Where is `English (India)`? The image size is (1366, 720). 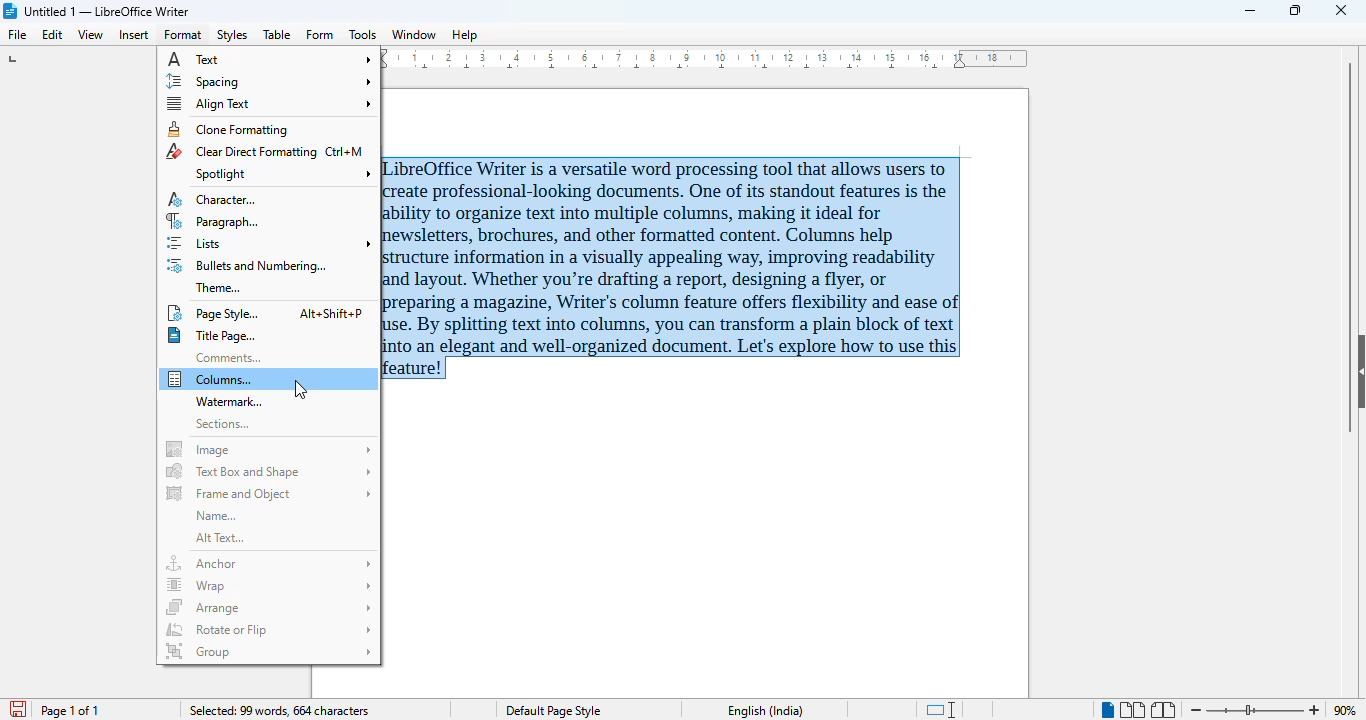
English (India) is located at coordinates (766, 711).